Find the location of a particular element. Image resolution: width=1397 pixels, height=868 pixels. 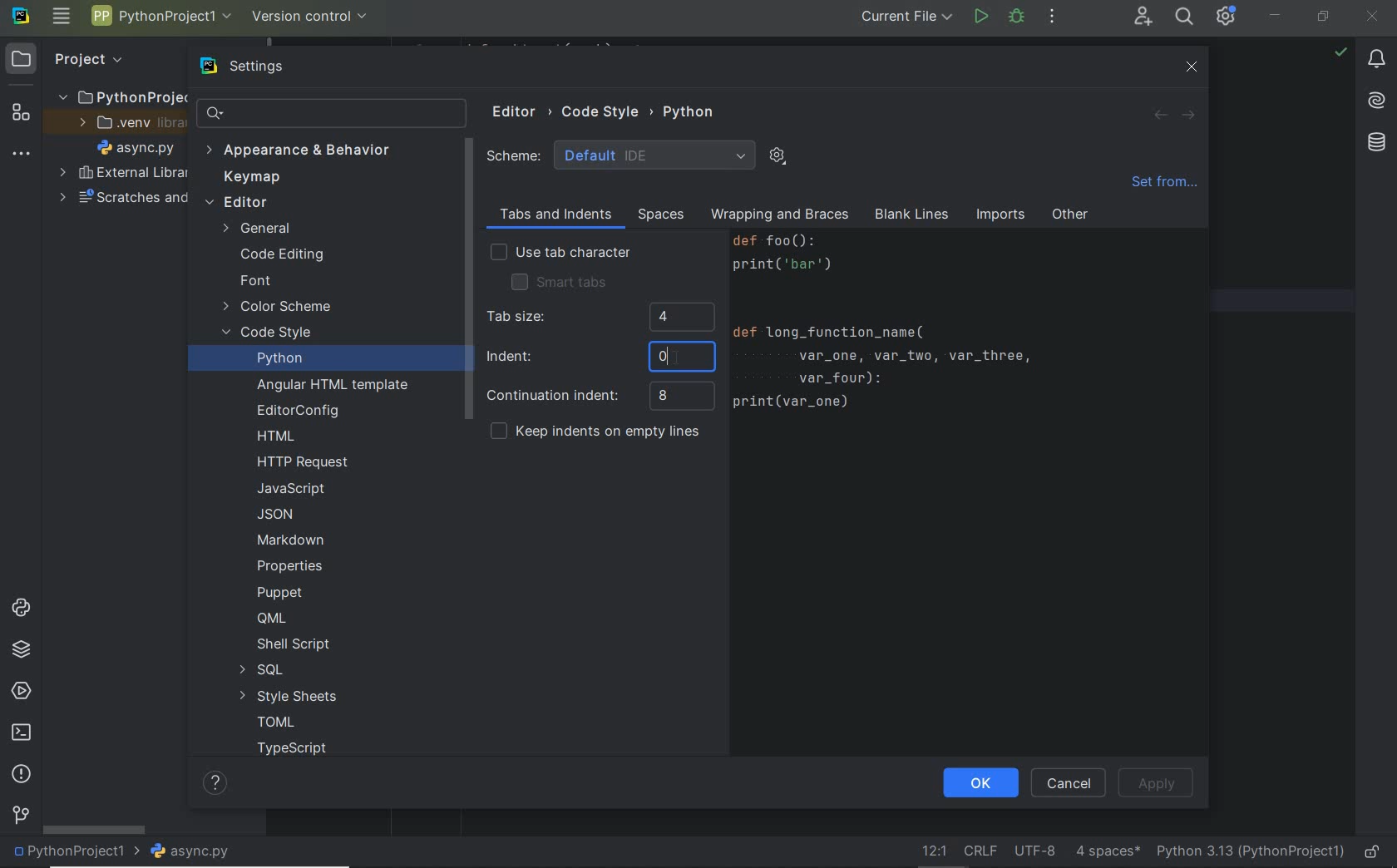

wrapping and braces is located at coordinates (777, 216).